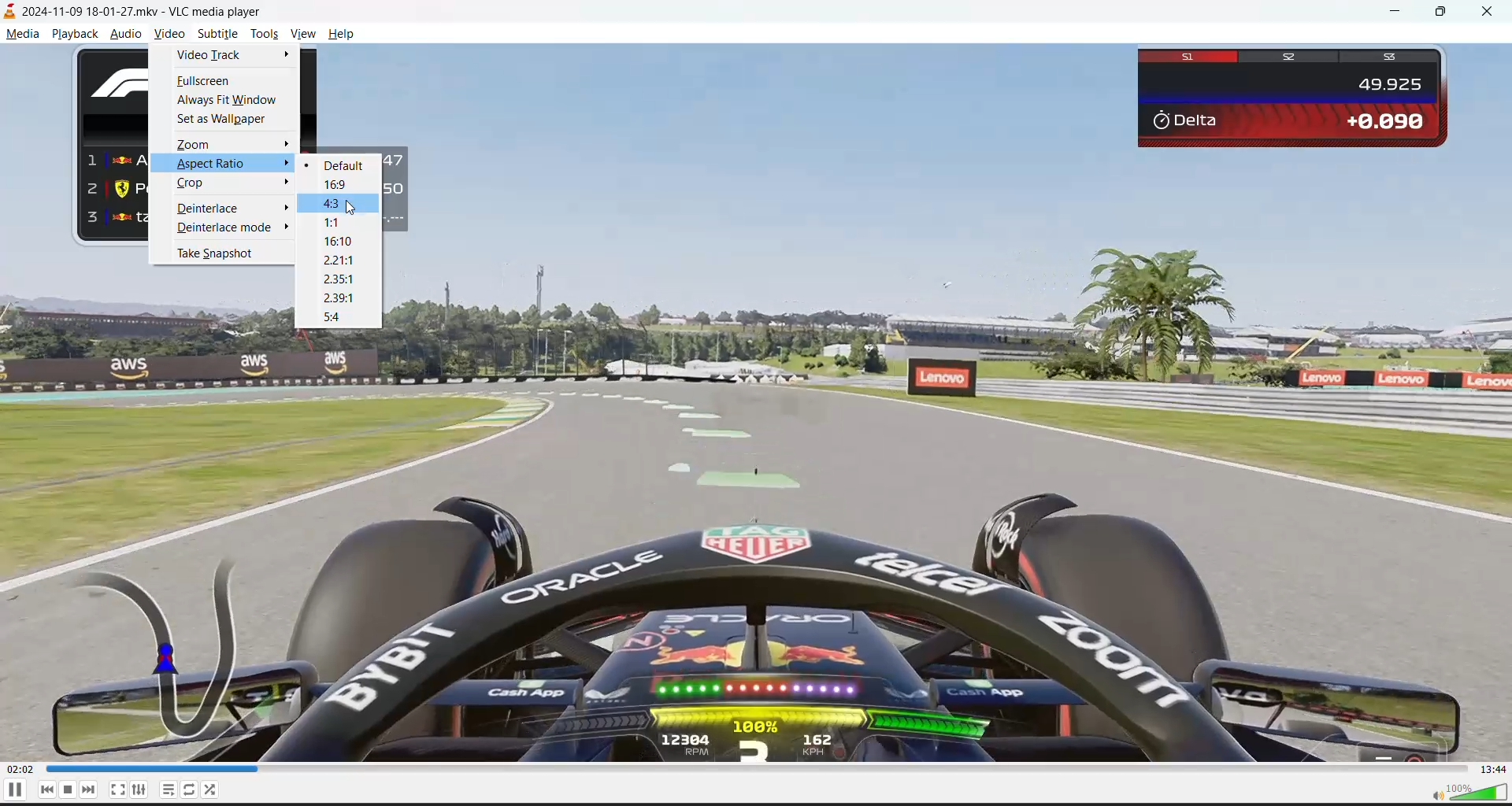 The width and height of the screenshot is (1512, 806). What do you see at coordinates (1444, 13) in the screenshot?
I see `maximize` at bounding box center [1444, 13].